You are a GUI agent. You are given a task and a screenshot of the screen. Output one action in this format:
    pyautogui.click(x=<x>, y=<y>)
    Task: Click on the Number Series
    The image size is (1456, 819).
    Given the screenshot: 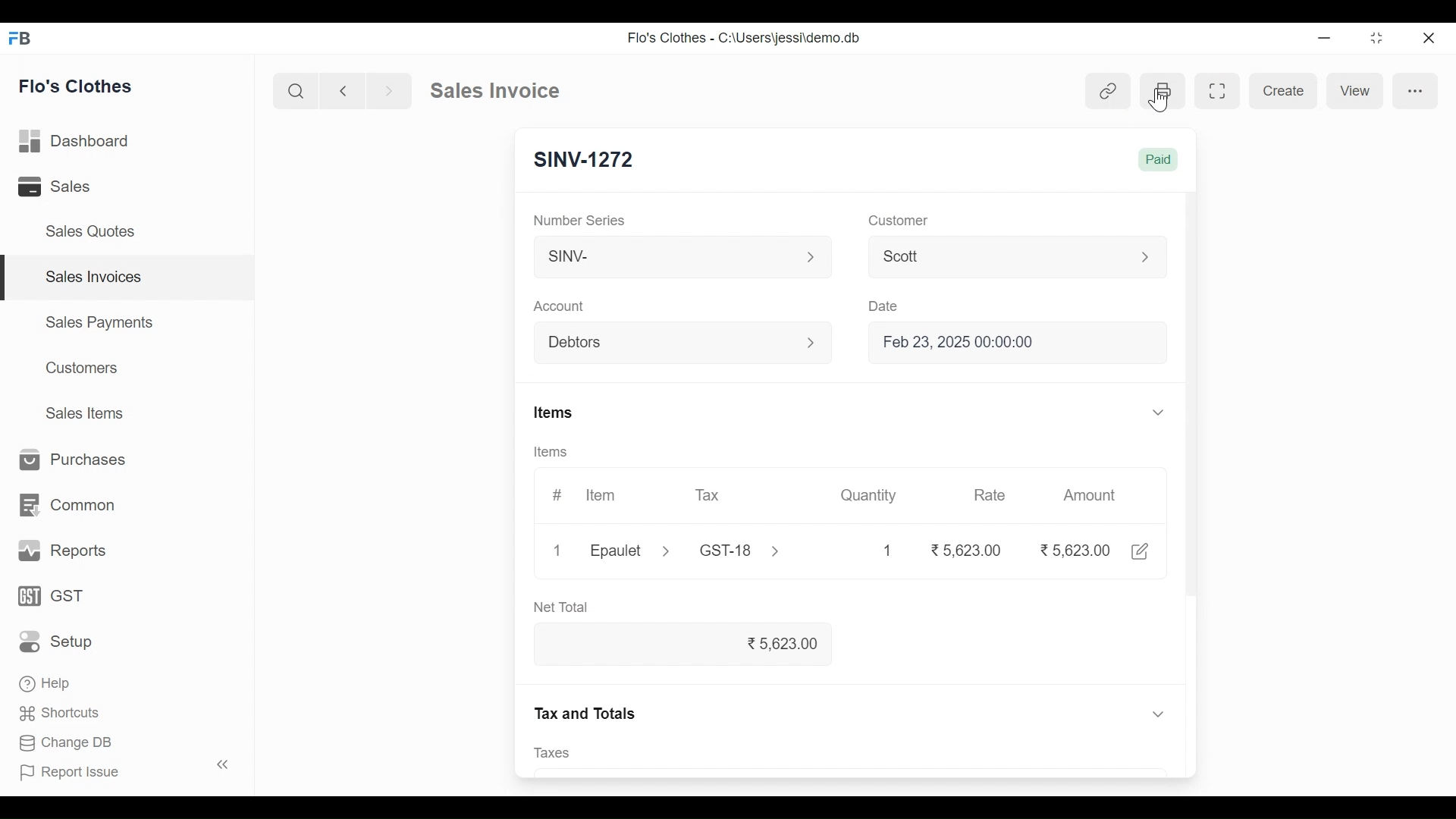 What is the action you would take?
    pyautogui.click(x=583, y=220)
    